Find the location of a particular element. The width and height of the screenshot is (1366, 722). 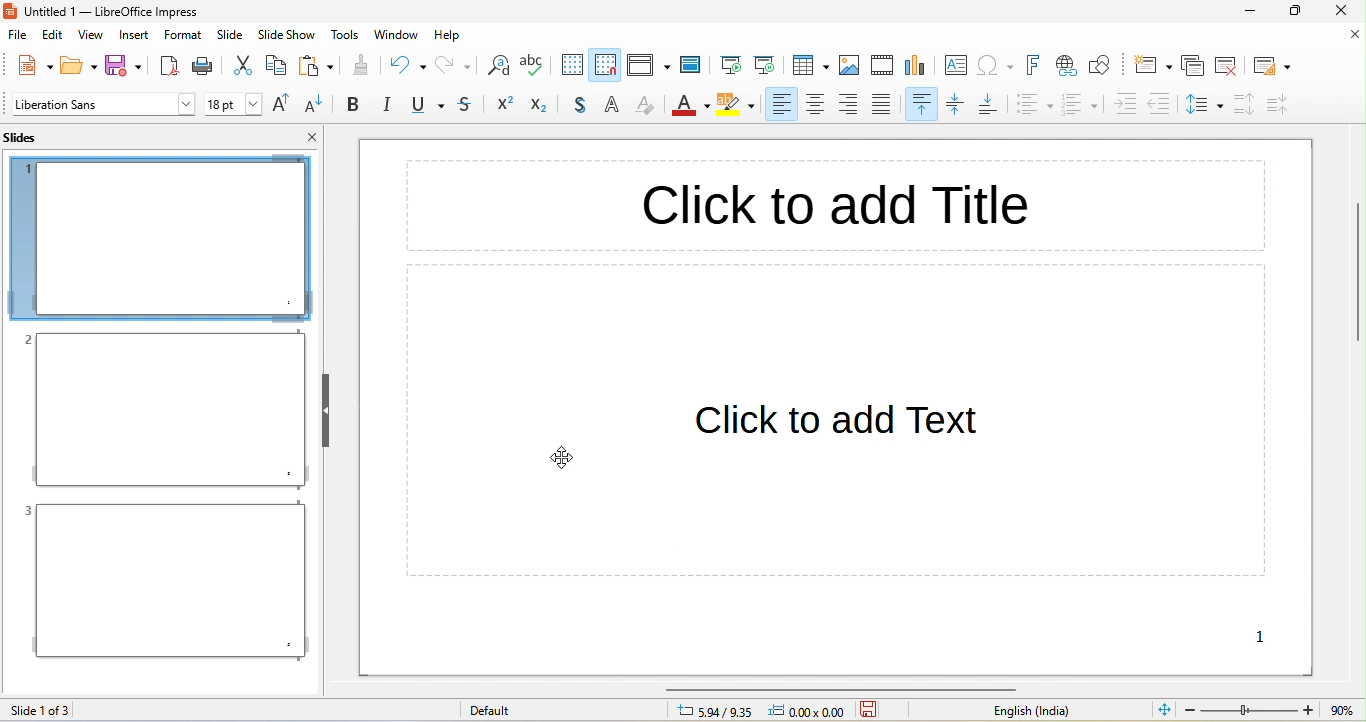

subscript is located at coordinates (545, 106).